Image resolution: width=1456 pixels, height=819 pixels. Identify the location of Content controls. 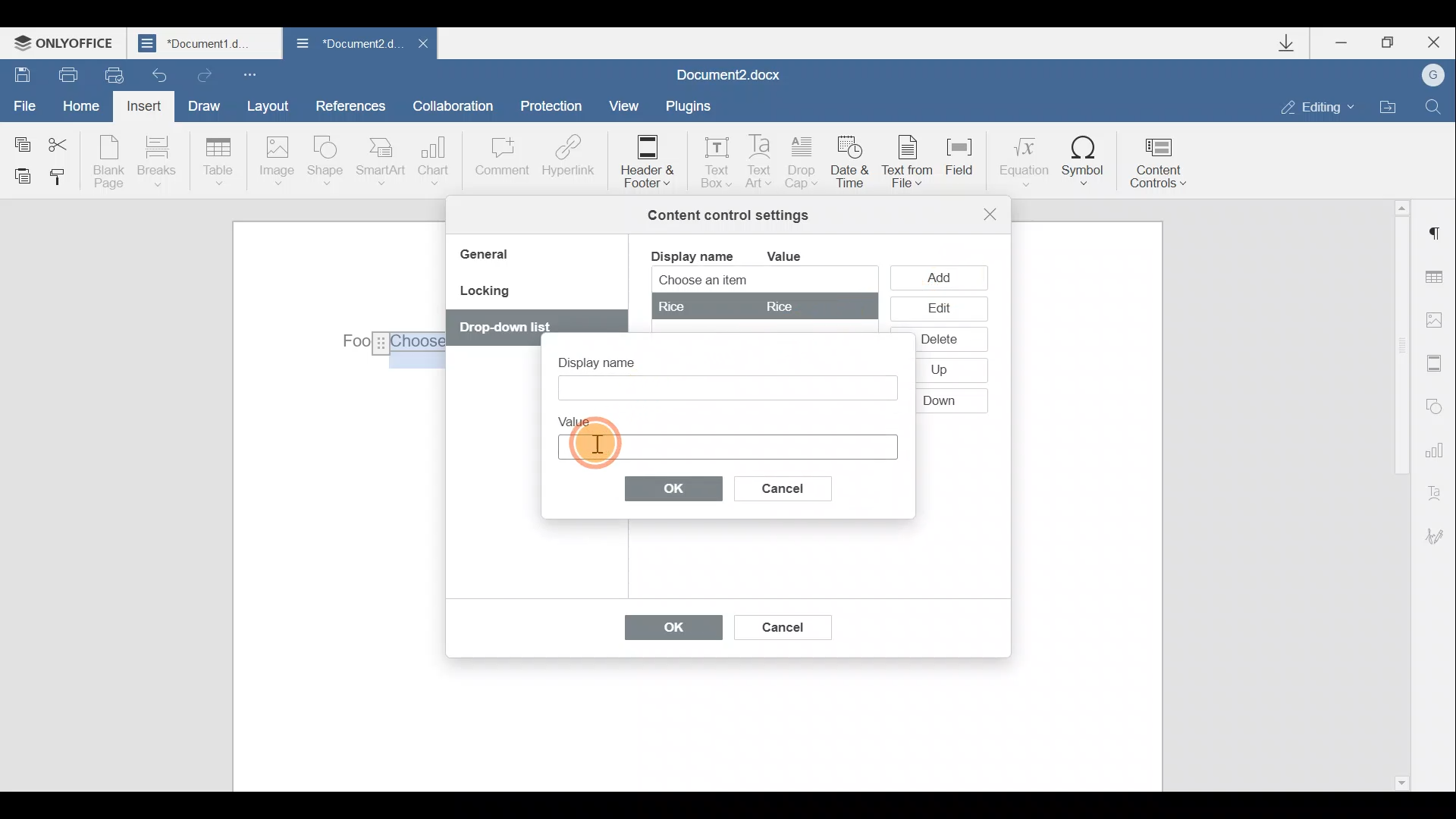
(1164, 158).